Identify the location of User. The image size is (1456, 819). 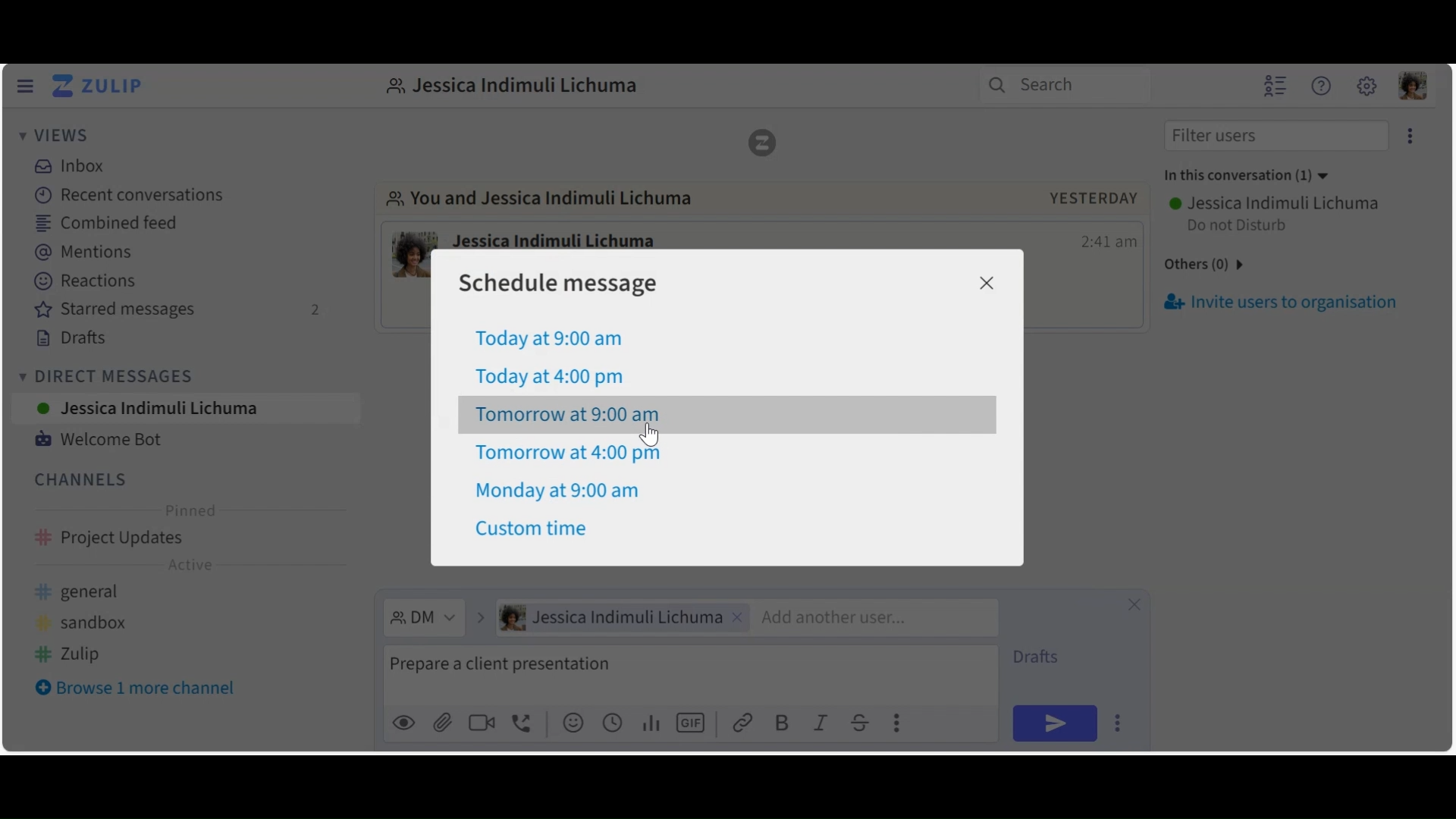
(185, 408).